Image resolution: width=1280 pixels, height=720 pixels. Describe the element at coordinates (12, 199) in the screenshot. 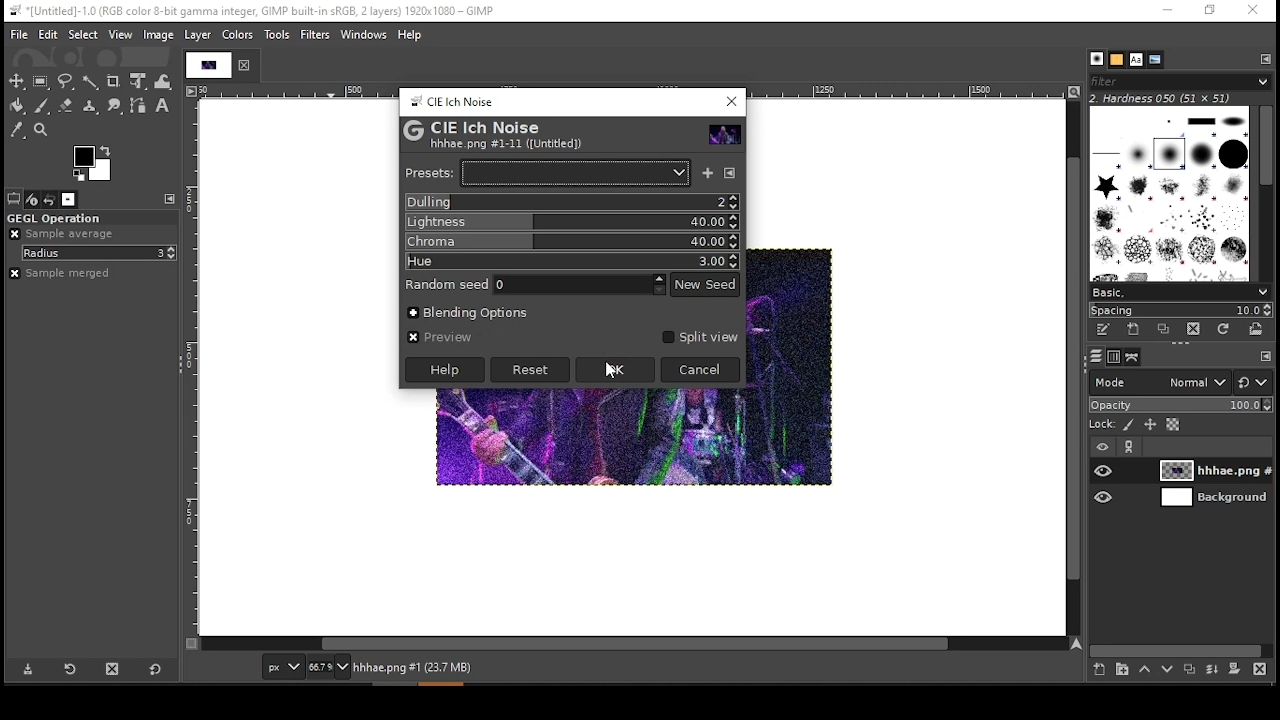

I see `tool options` at that location.